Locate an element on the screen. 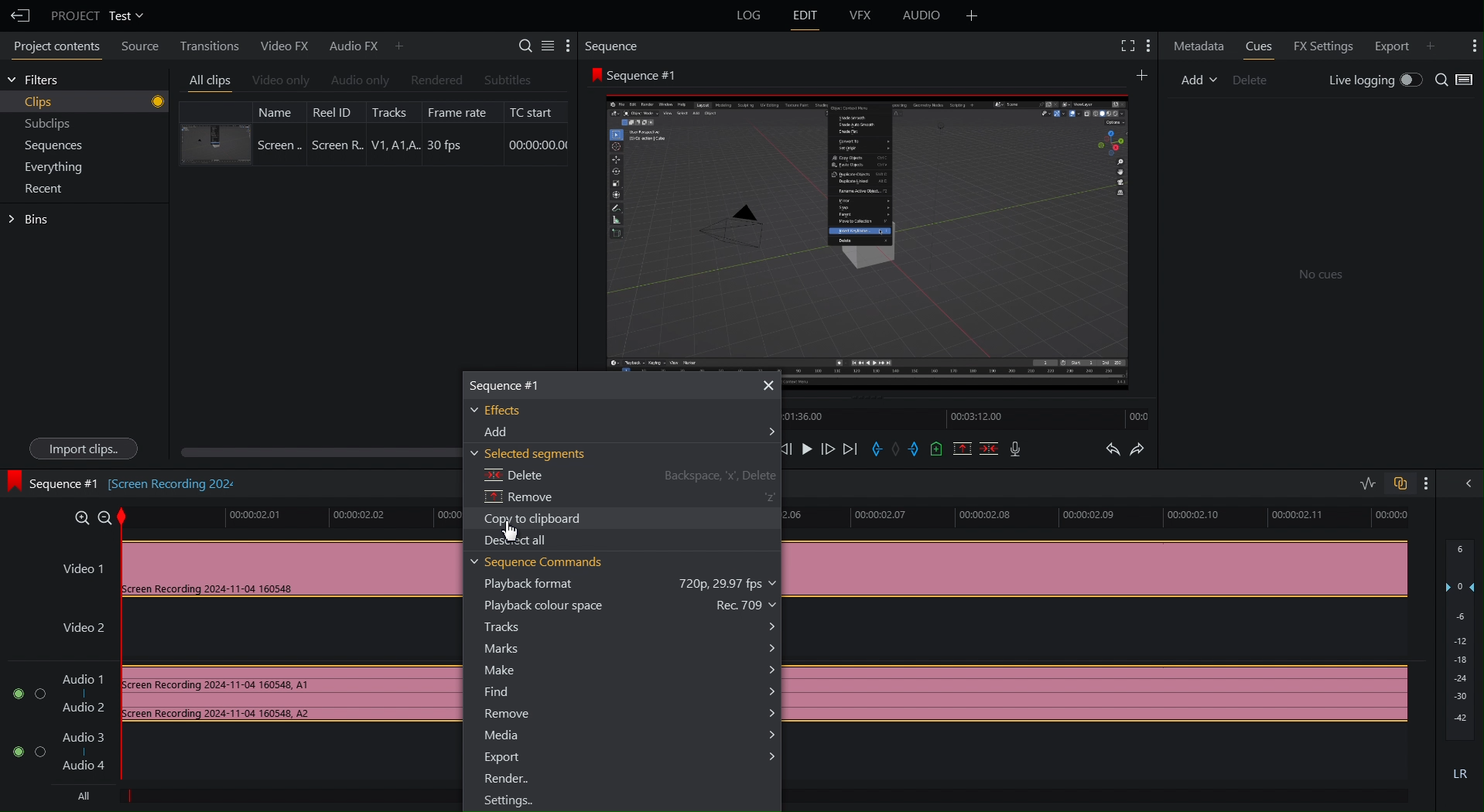  More is located at coordinates (1139, 75).